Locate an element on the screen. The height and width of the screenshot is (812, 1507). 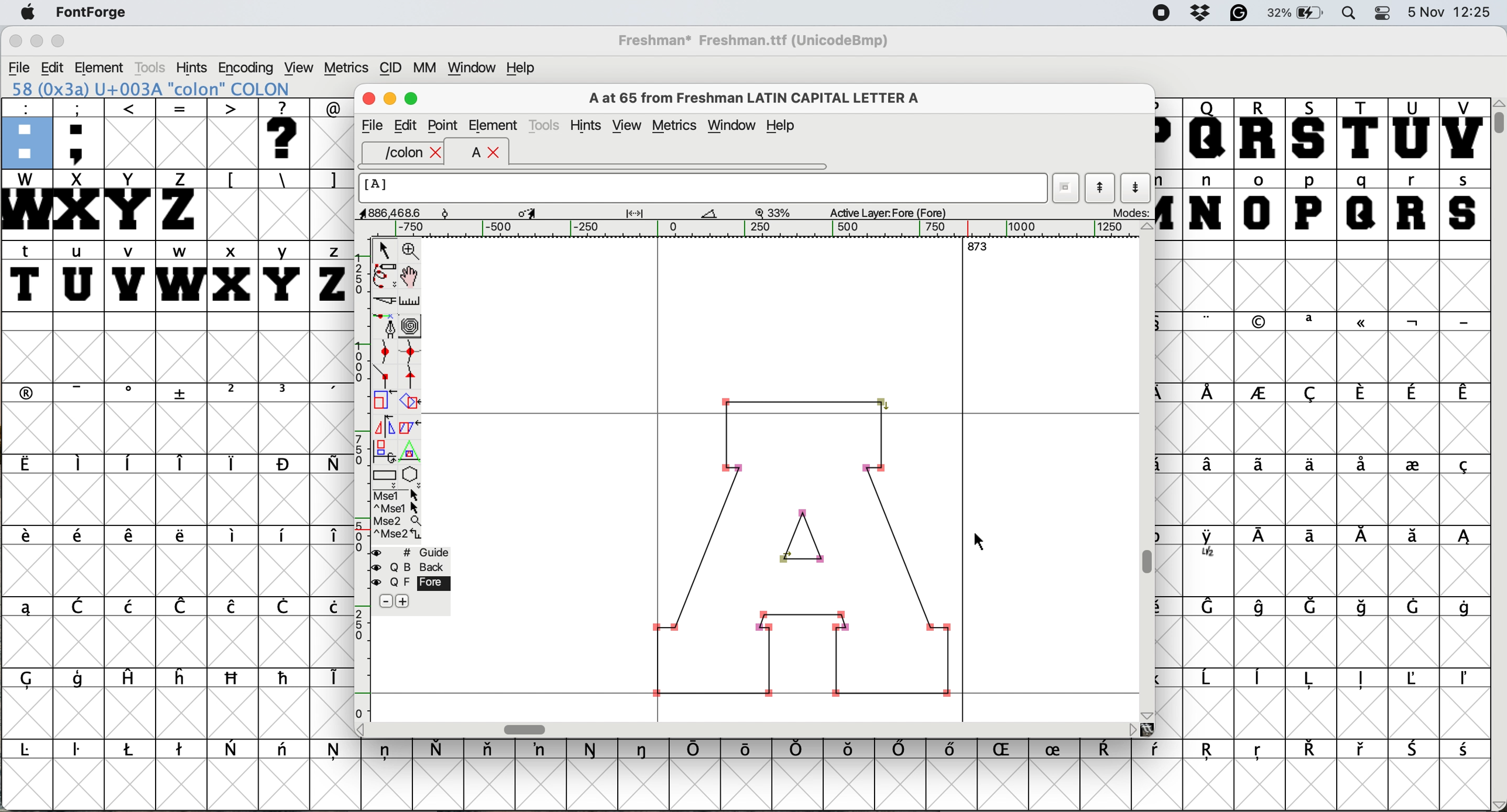
edit is located at coordinates (407, 126).